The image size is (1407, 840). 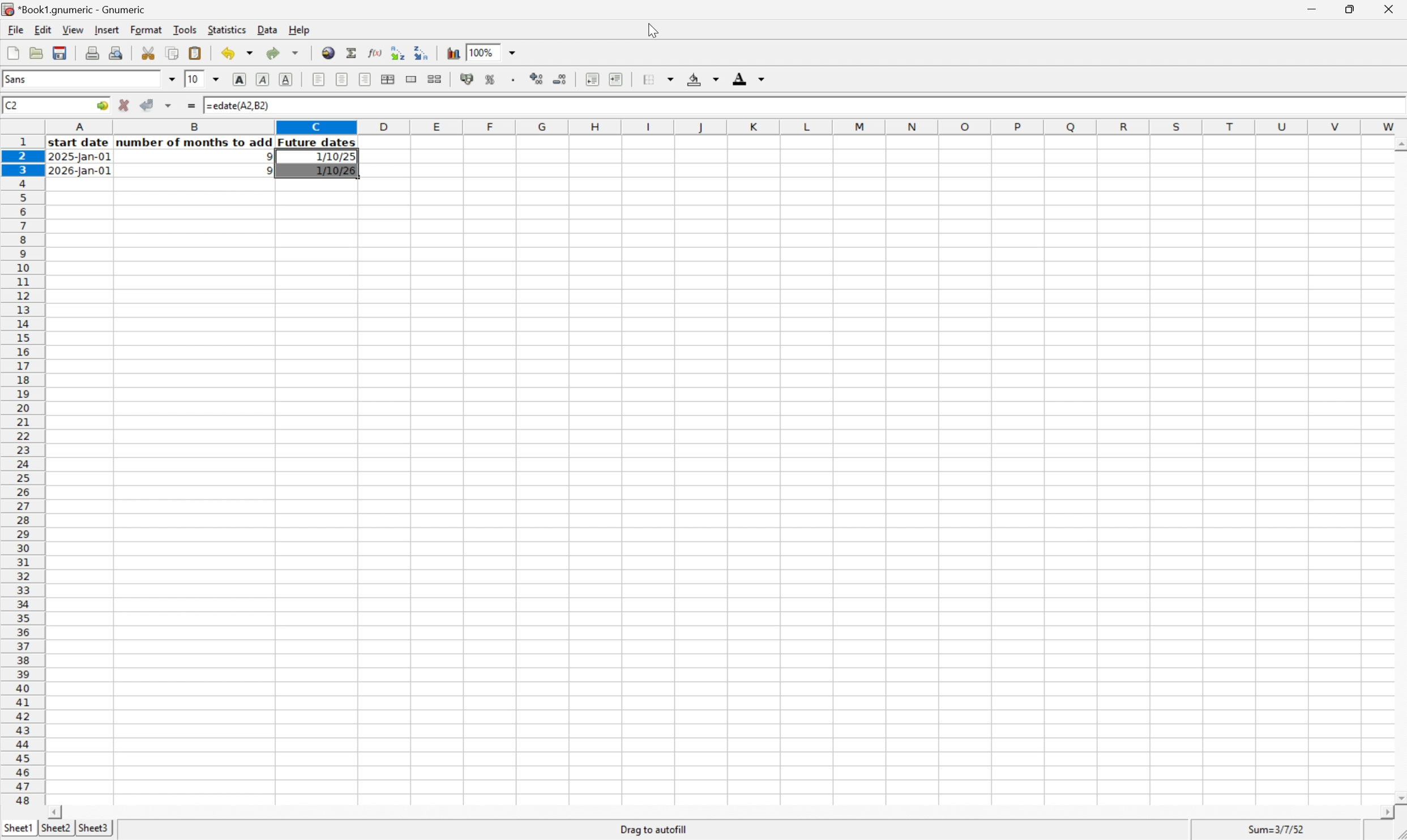 What do you see at coordinates (409, 78) in the screenshot?
I see `Merge a range of cells` at bounding box center [409, 78].